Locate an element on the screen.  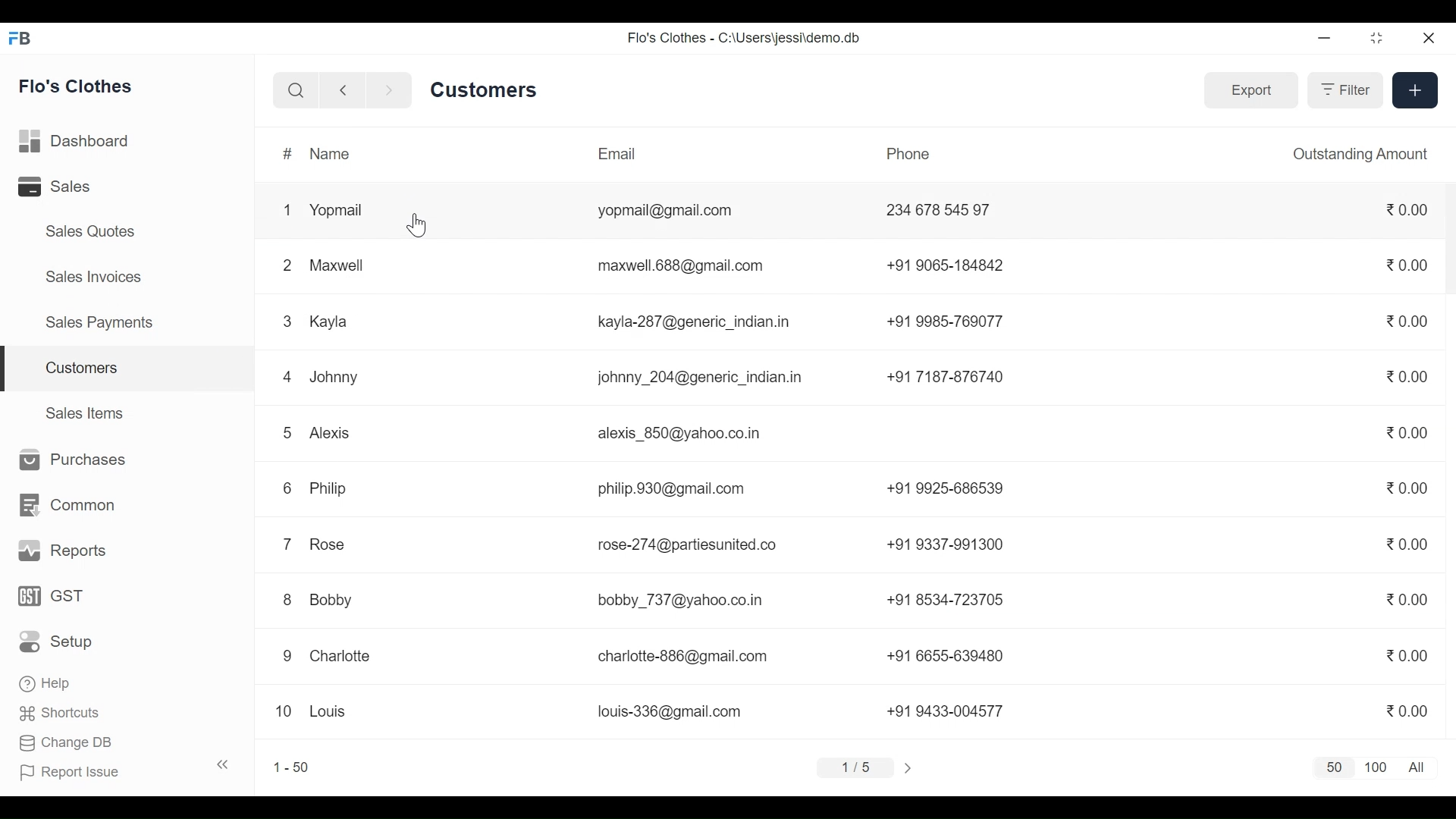
8 is located at coordinates (287, 600).